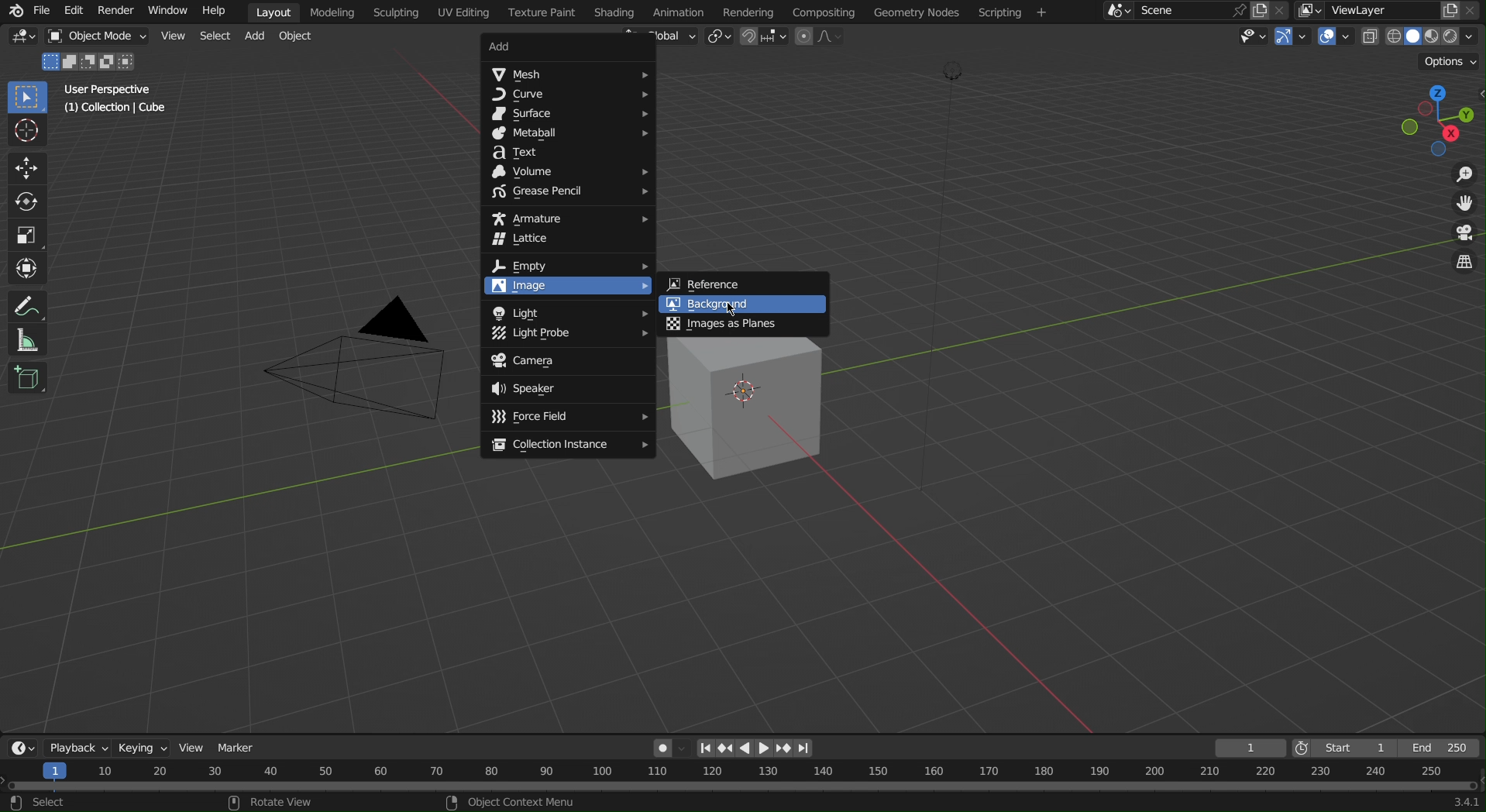  What do you see at coordinates (571, 359) in the screenshot?
I see `Camera` at bounding box center [571, 359].